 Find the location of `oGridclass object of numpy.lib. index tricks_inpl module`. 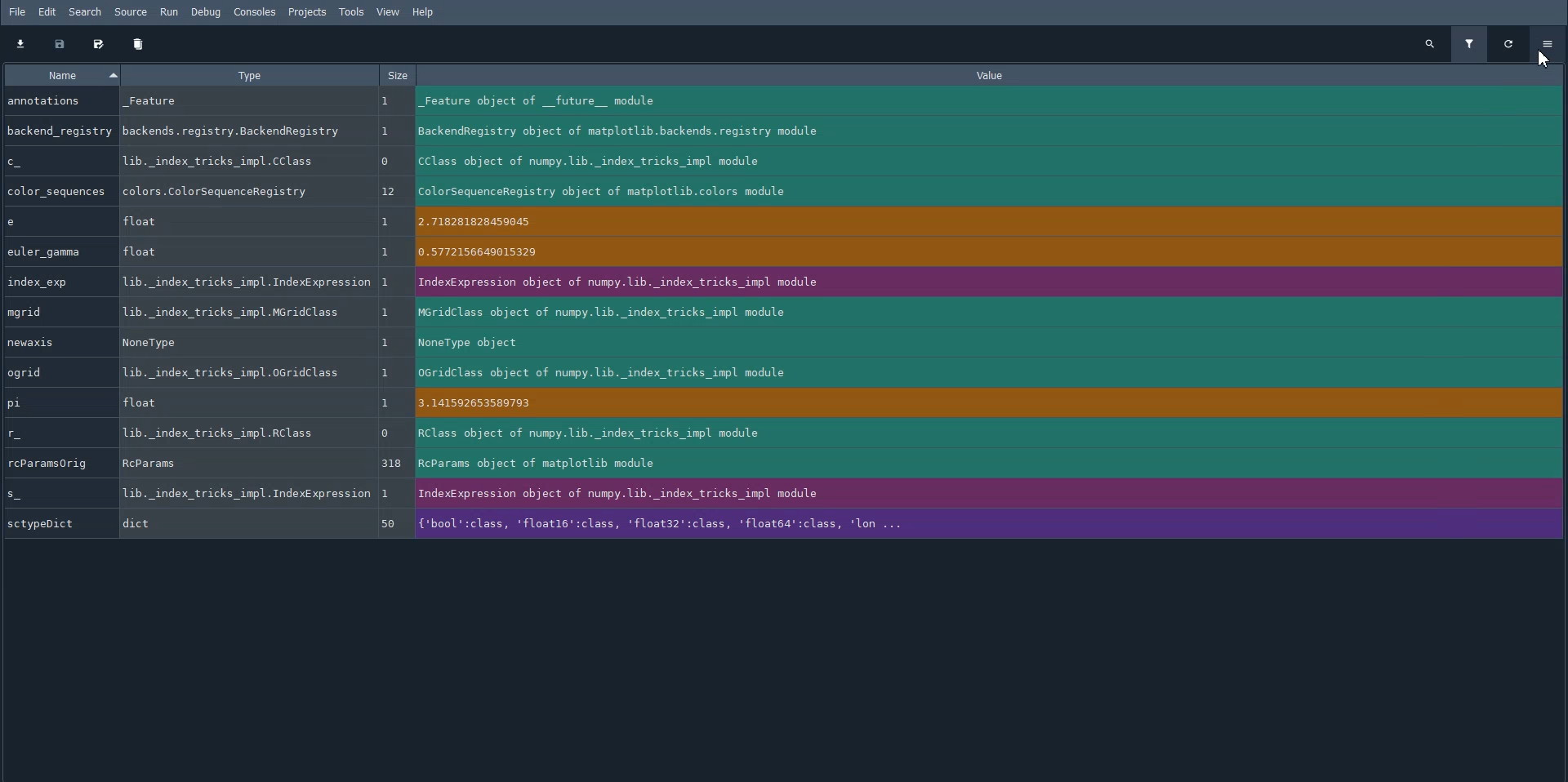

oGridclass object of numpy.lib. index tricks_inpl module is located at coordinates (986, 371).